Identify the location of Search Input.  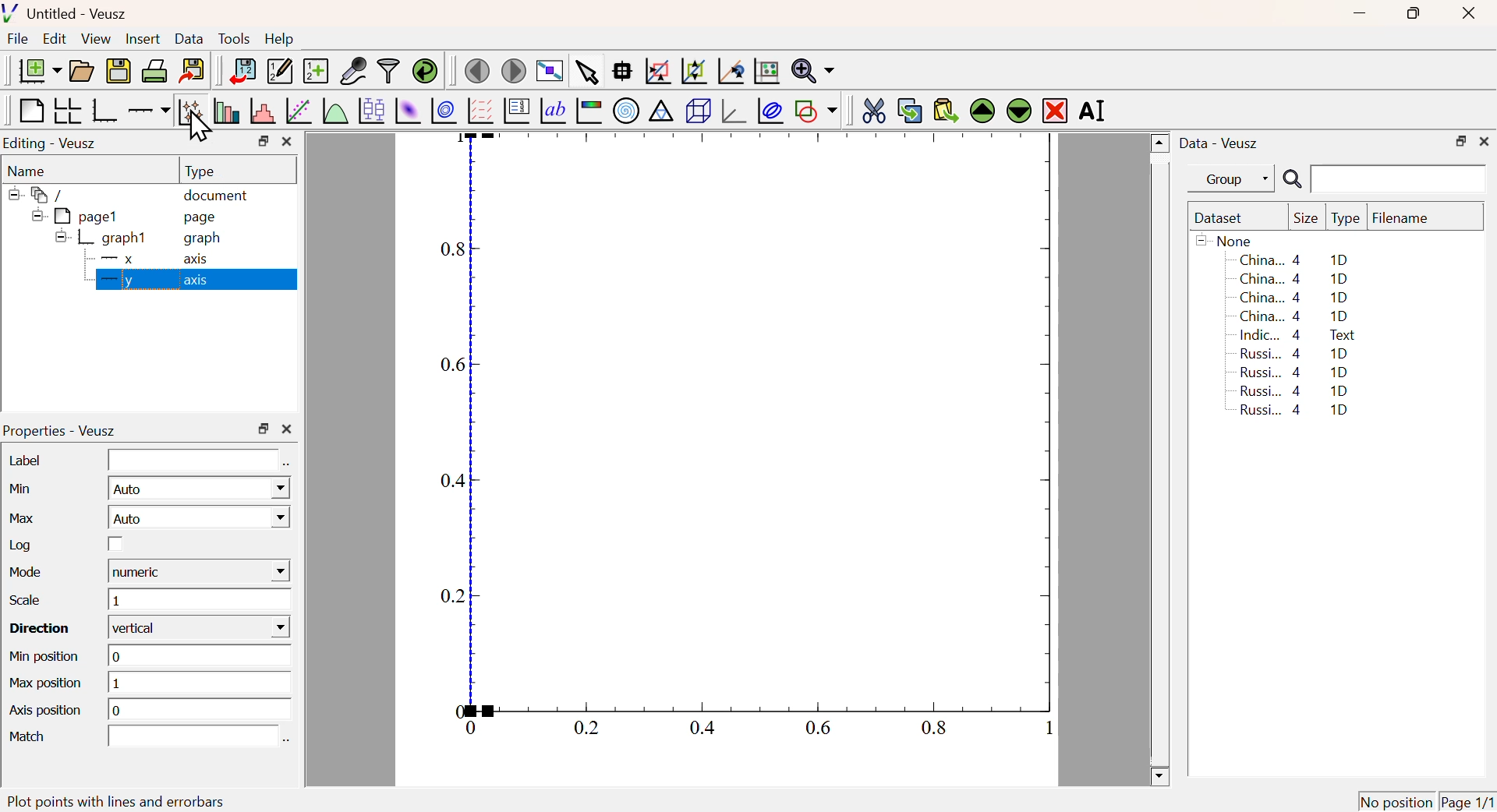
(1400, 178).